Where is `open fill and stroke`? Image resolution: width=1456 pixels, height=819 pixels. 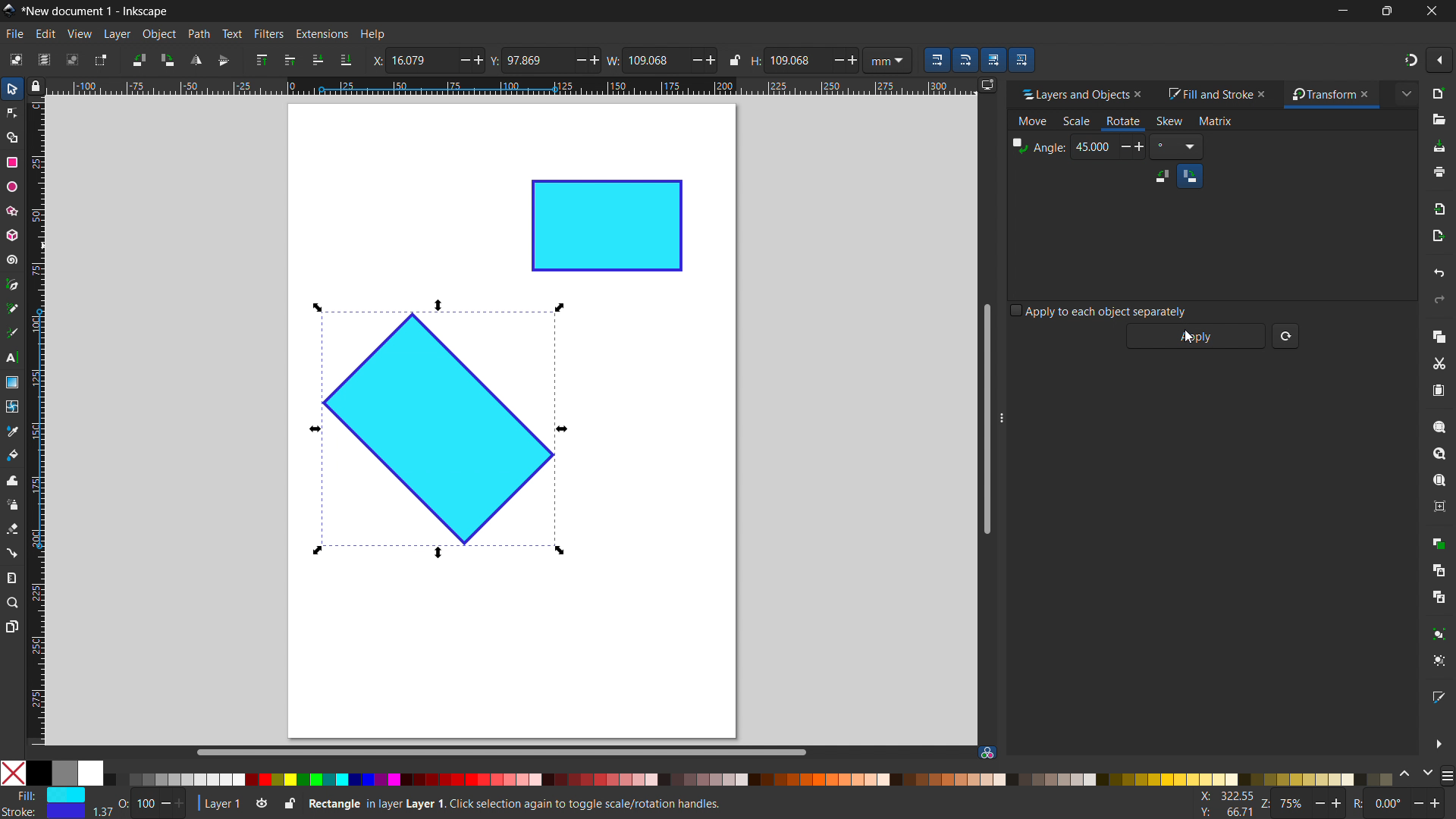
open fill and stroke is located at coordinates (1440, 696).